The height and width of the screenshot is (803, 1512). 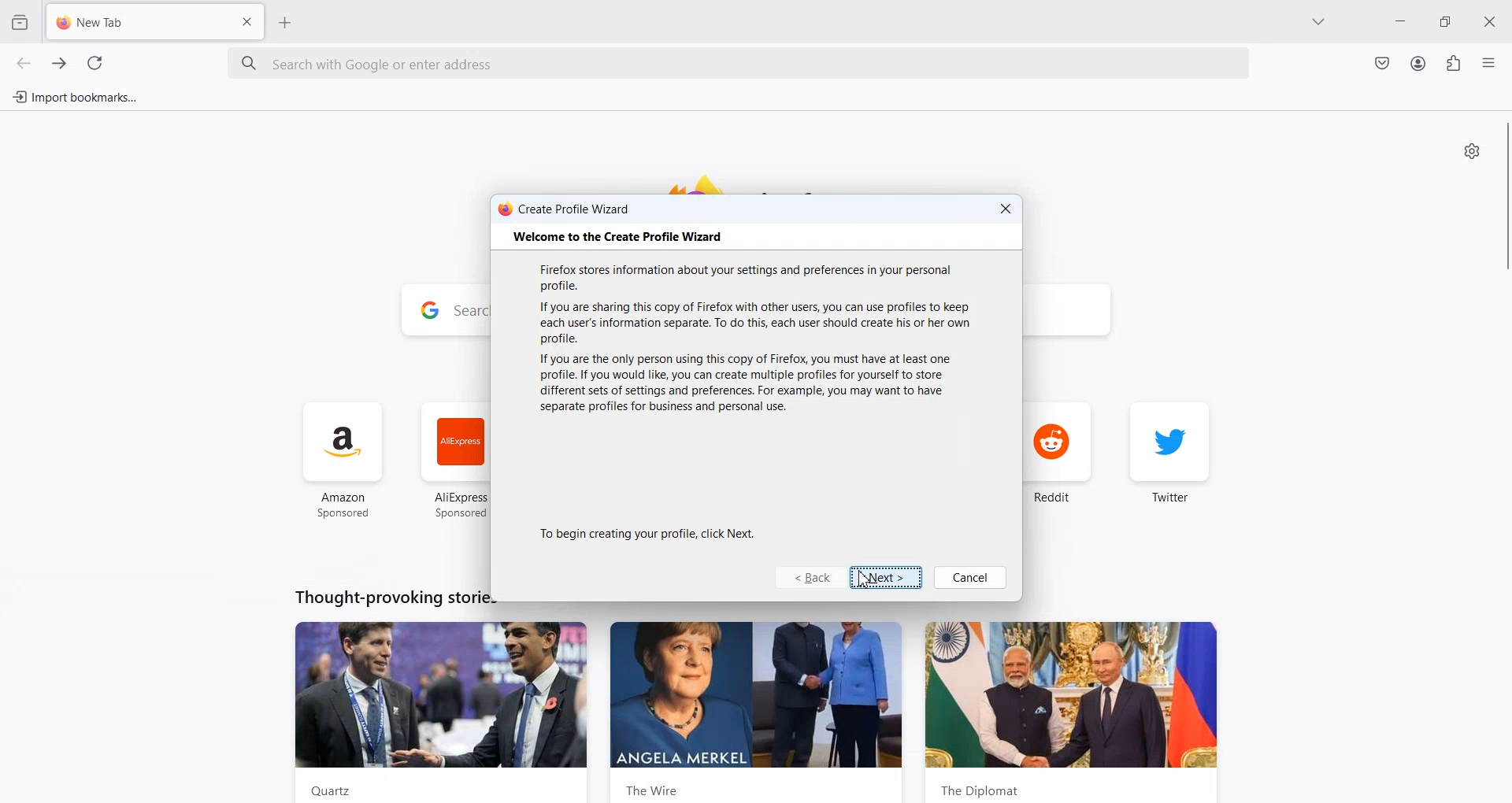 What do you see at coordinates (1472, 150) in the screenshot?
I see `Personalize new tab ` at bounding box center [1472, 150].